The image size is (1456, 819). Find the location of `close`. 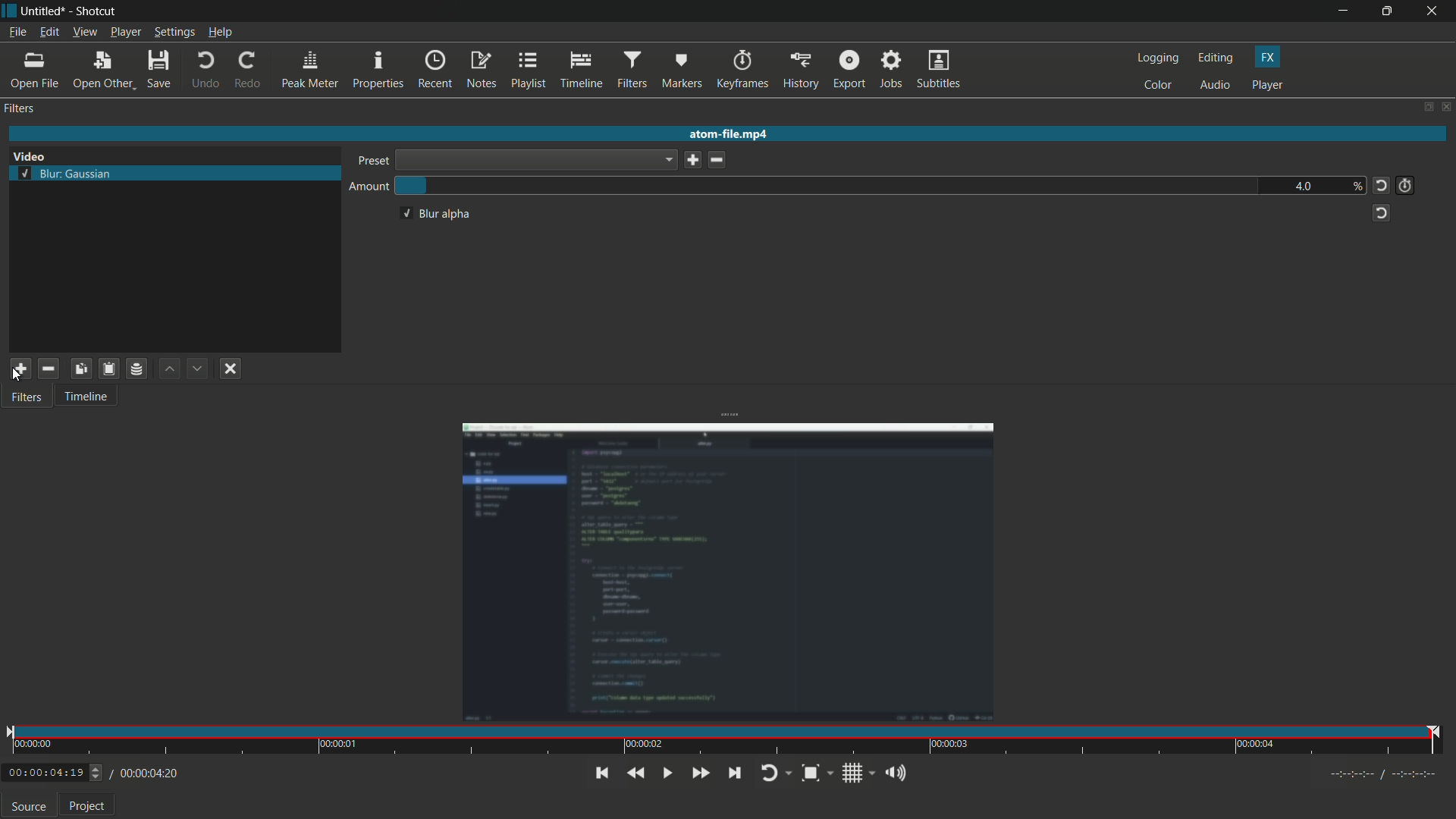

close is located at coordinates (1446, 106).